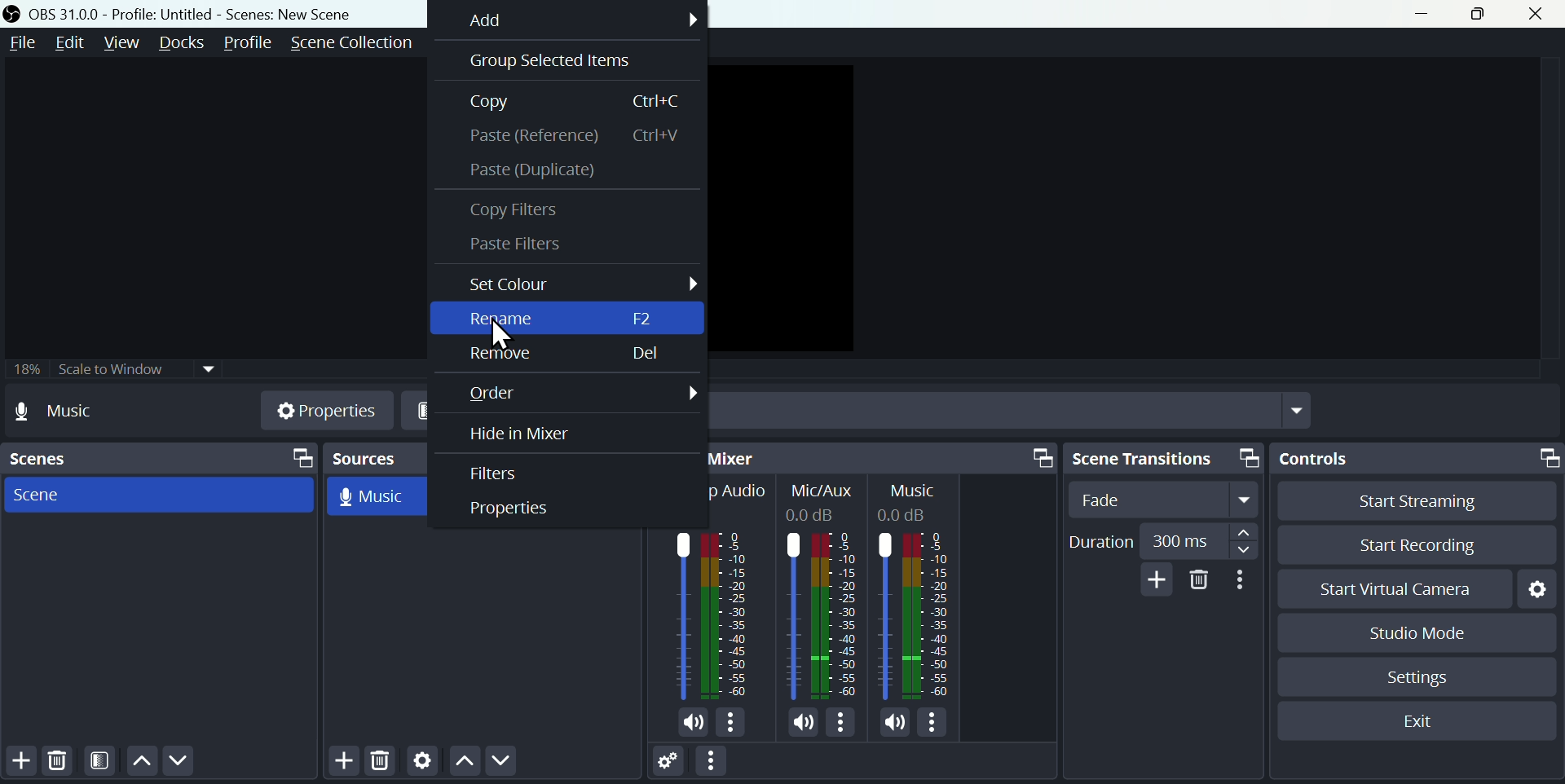 The width and height of the screenshot is (1565, 784). What do you see at coordinates (708, 615) in the screenshot?
I see `Audio bar` at bounding box center [708, 615].